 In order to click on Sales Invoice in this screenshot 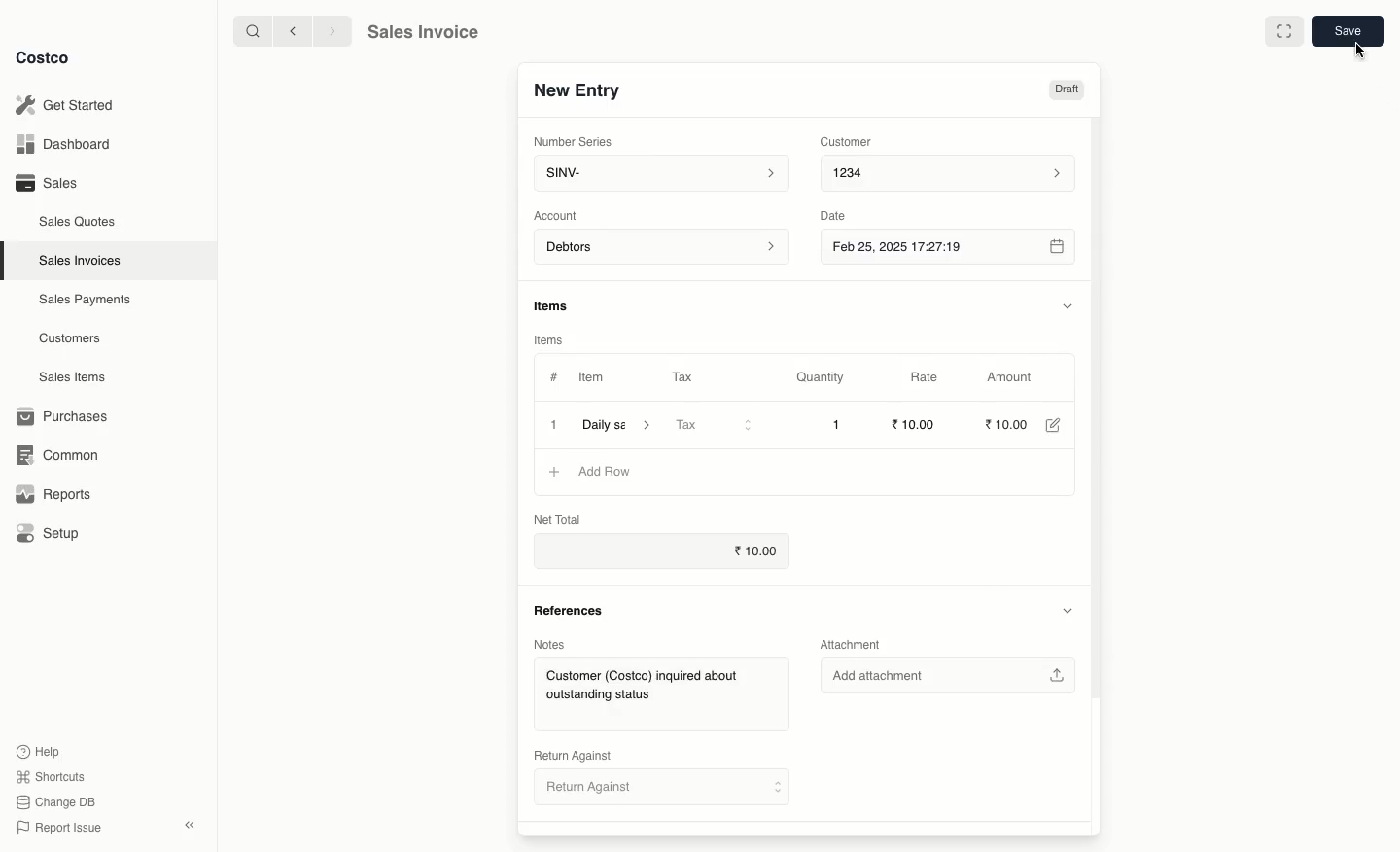, I will do `click(427, 32)`.